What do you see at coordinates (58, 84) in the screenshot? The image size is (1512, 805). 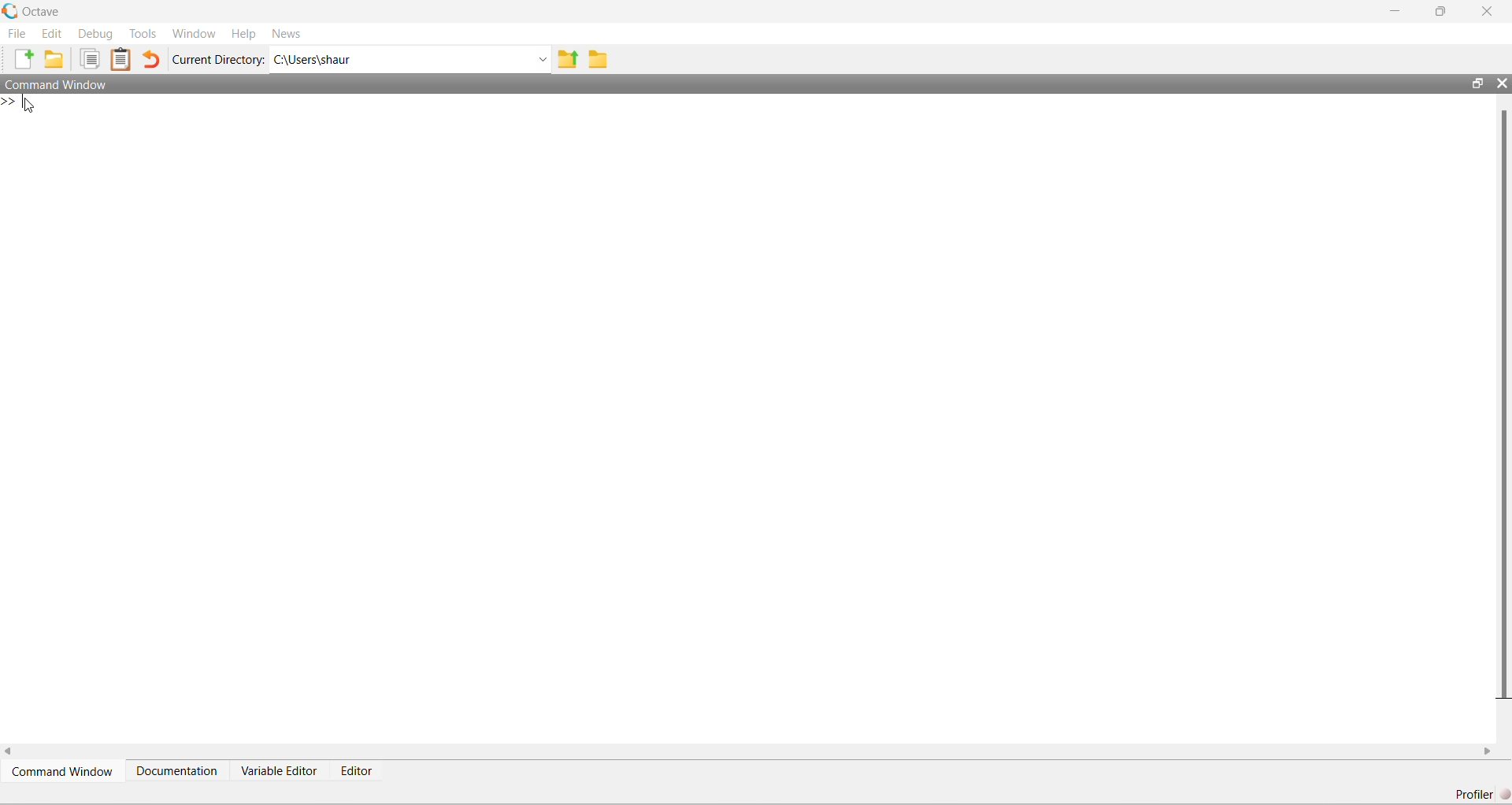 I see `Command Window` at bounding box center [58, 84].